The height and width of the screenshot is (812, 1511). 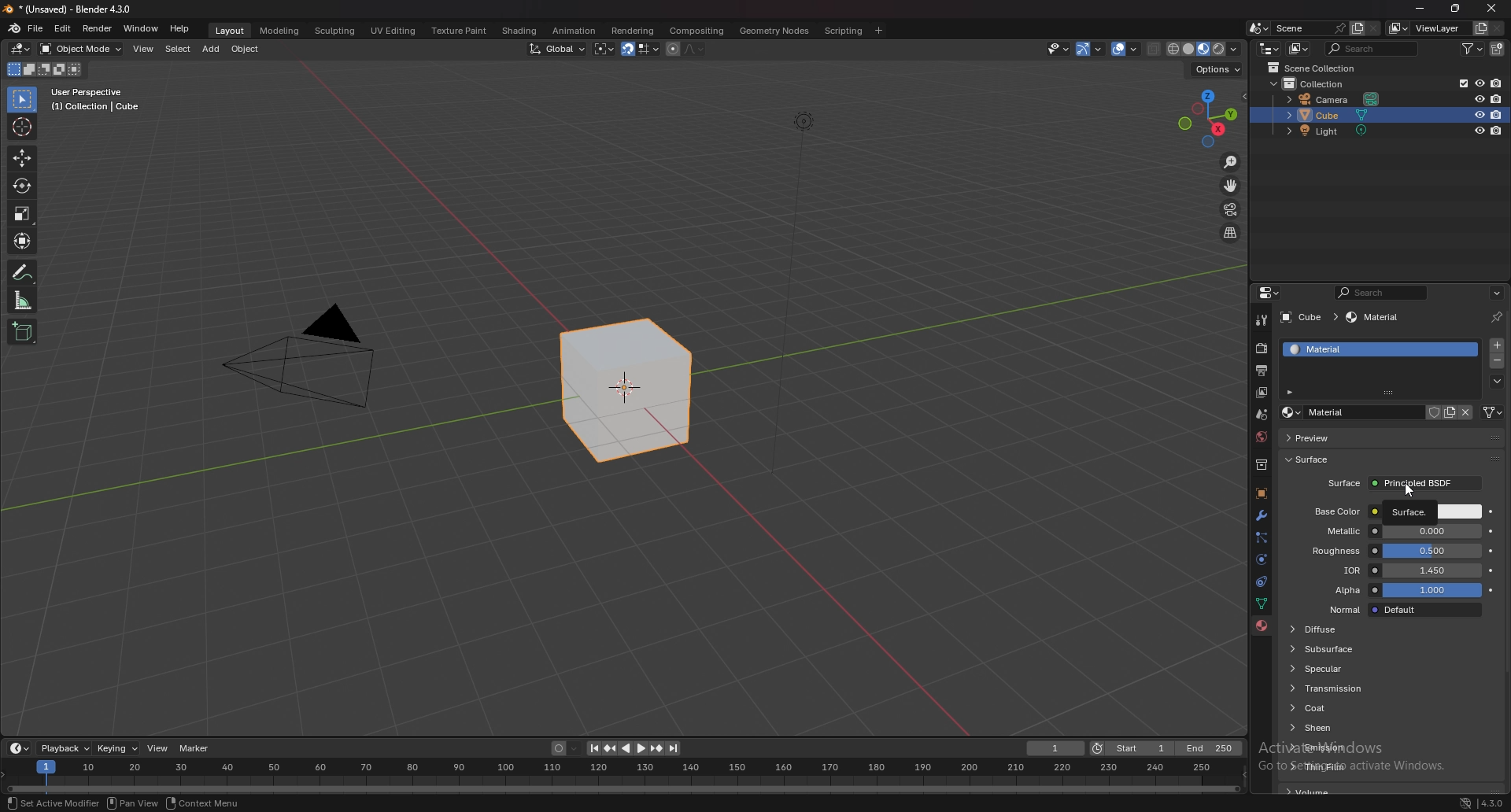 What do you see at coordinates (1263, 435) in the screenshot?
I see `world` at bounding box center [1263, 435].